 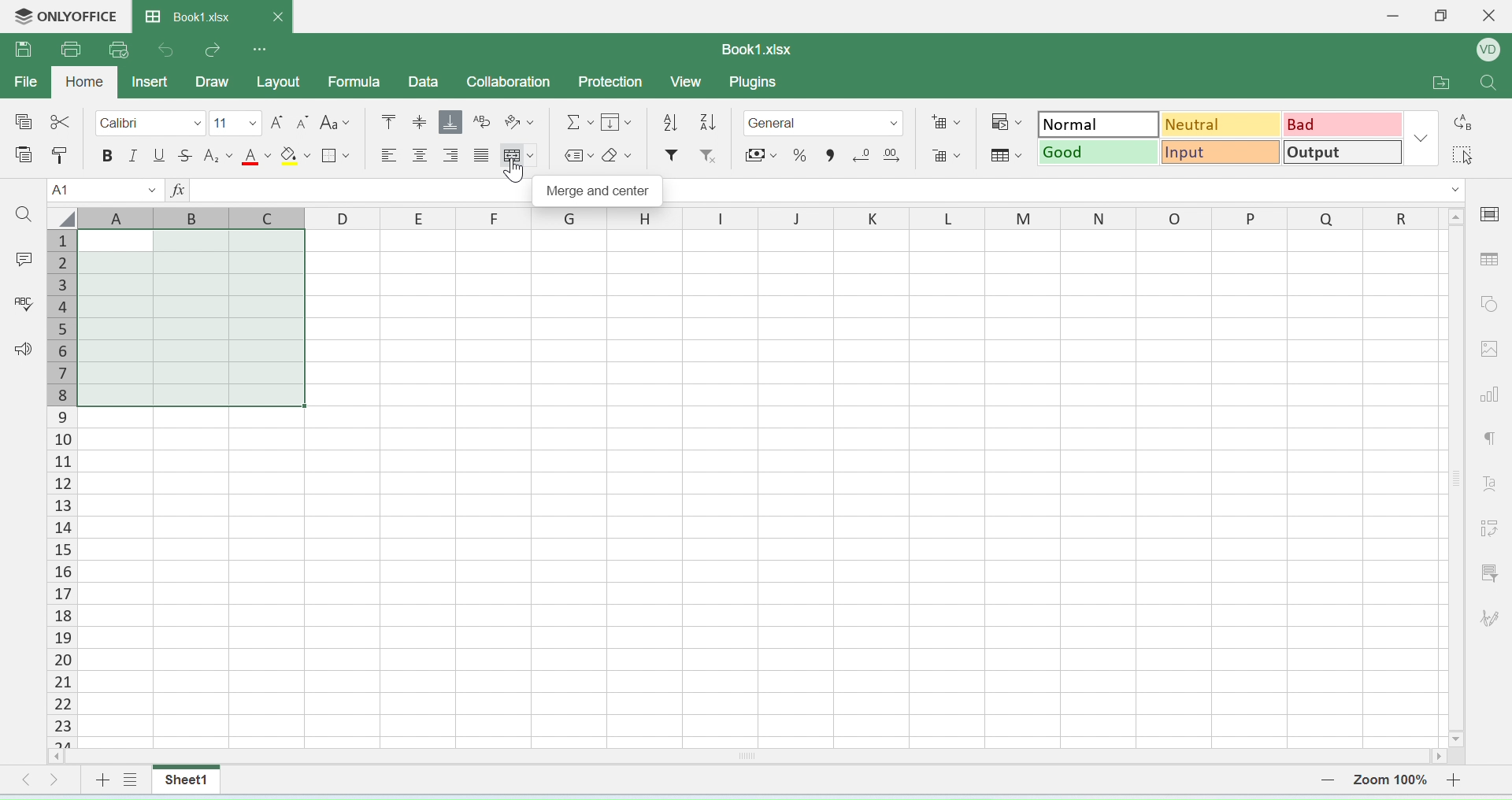 I want to click on signature, so click(x=1492, y=621).